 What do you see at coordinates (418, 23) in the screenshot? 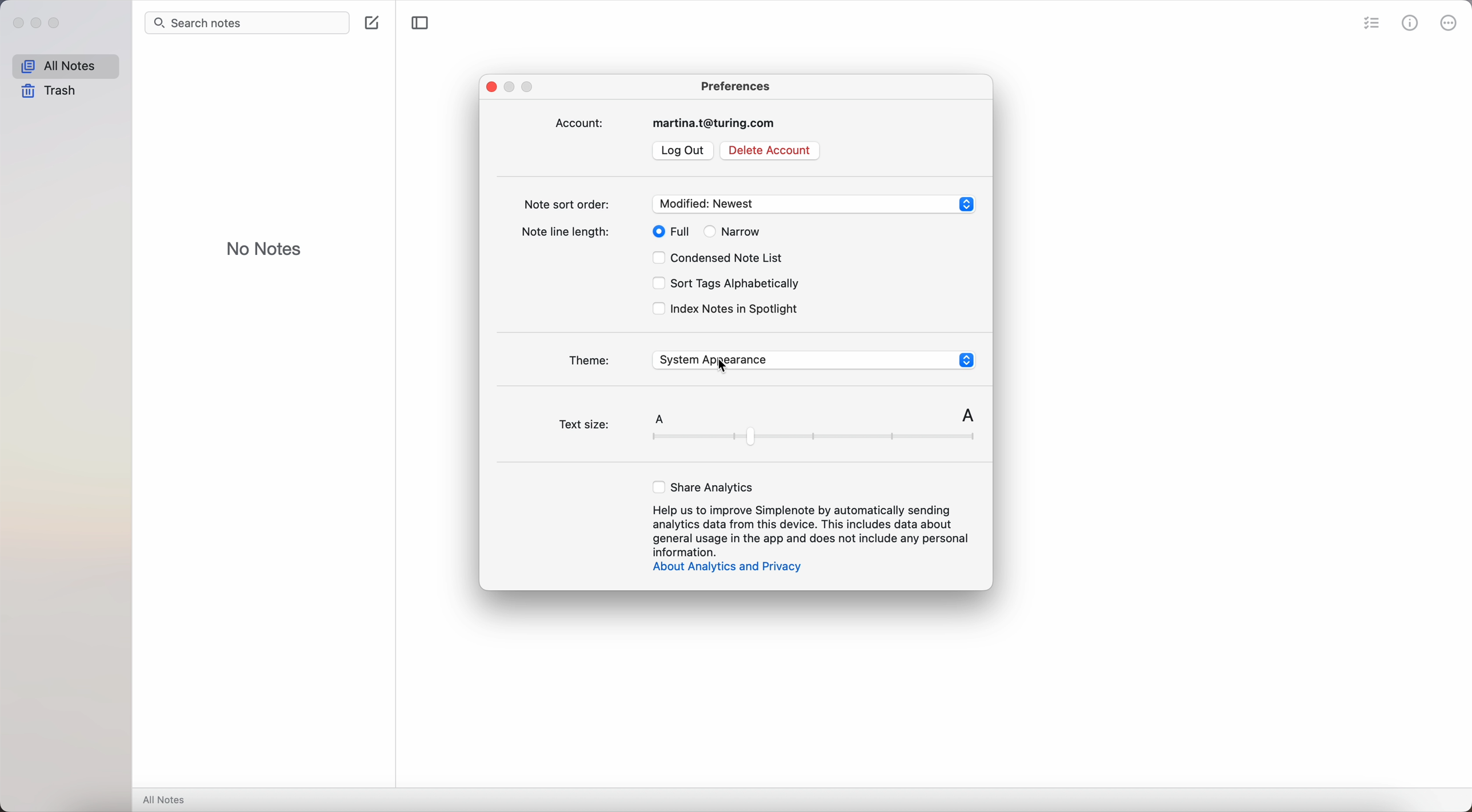
I see `toggle sidebar` at bounding box center [418, 23].